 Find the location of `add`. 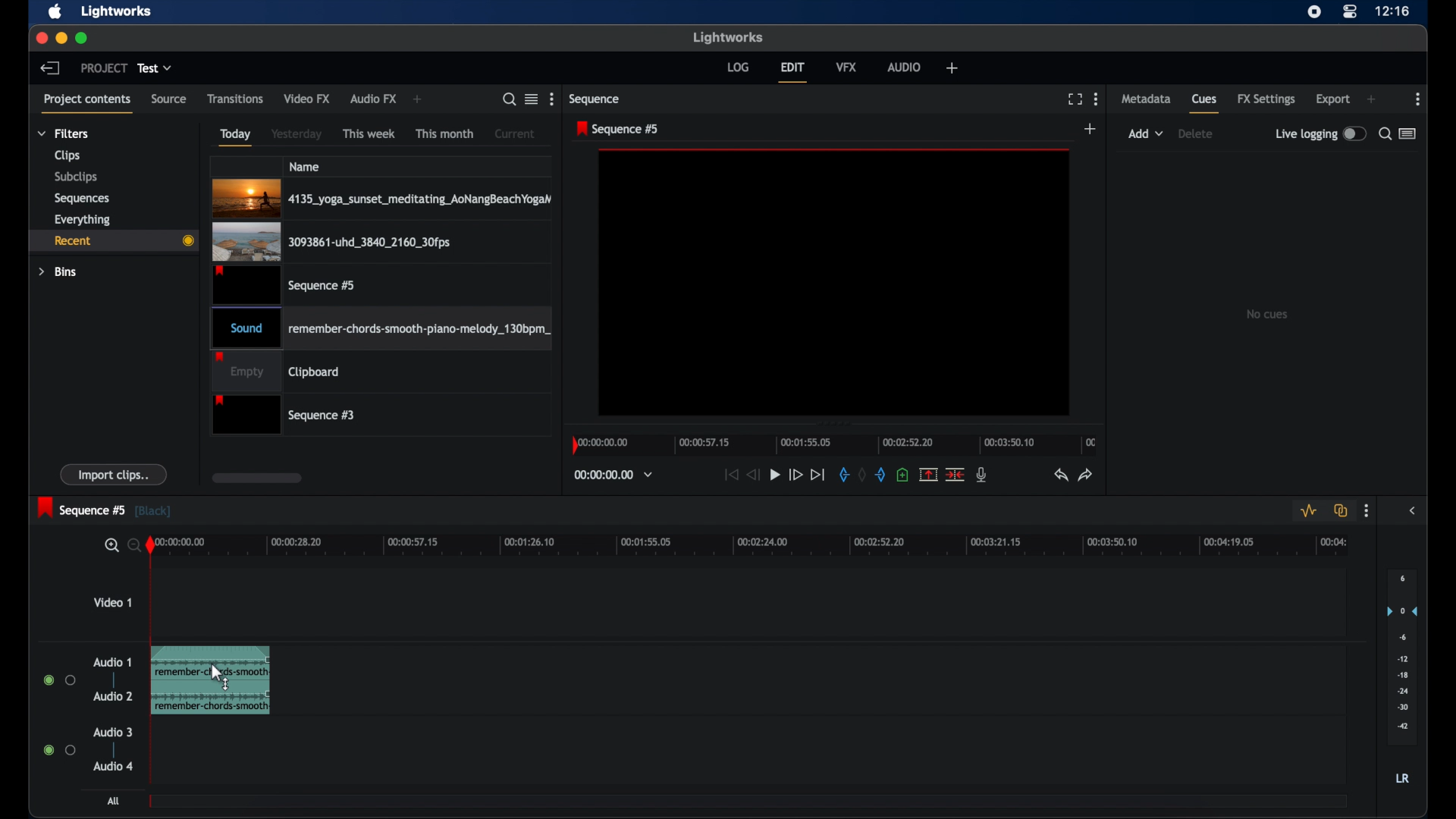

add is located at coordinates (419, 99).